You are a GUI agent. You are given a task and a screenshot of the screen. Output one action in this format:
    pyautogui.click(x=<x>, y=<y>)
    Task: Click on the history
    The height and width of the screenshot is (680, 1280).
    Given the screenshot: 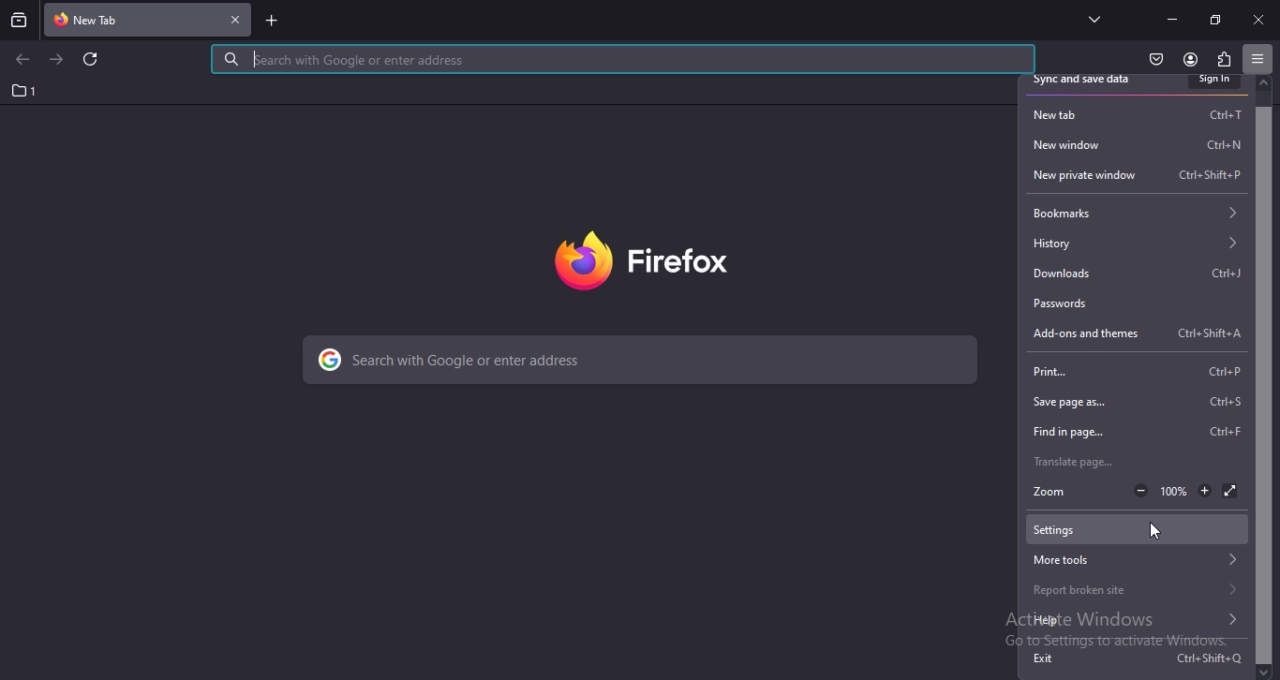 What is the action you would take?
    pyautogui.click(x=1135, y=240)
    